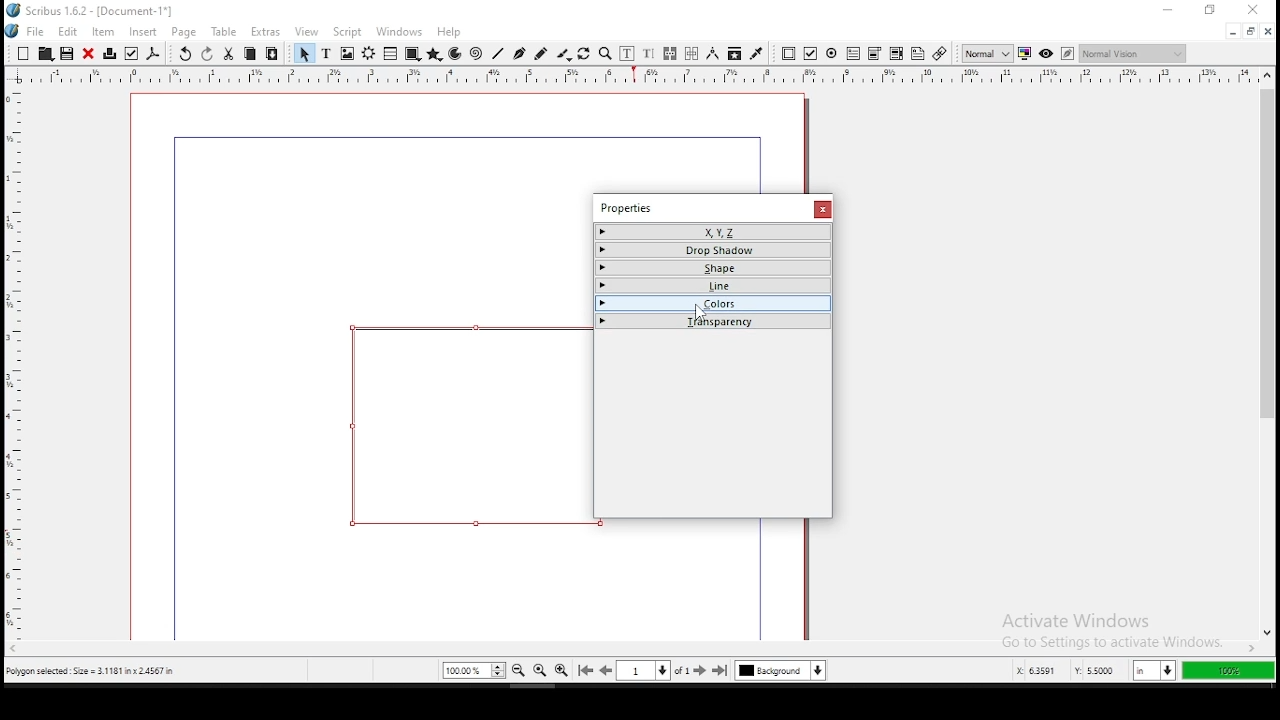 This screenshot has height=720, width=1280. Describe the element at coordinates (822, 209) in the screenshot. I see `close window` at that location.